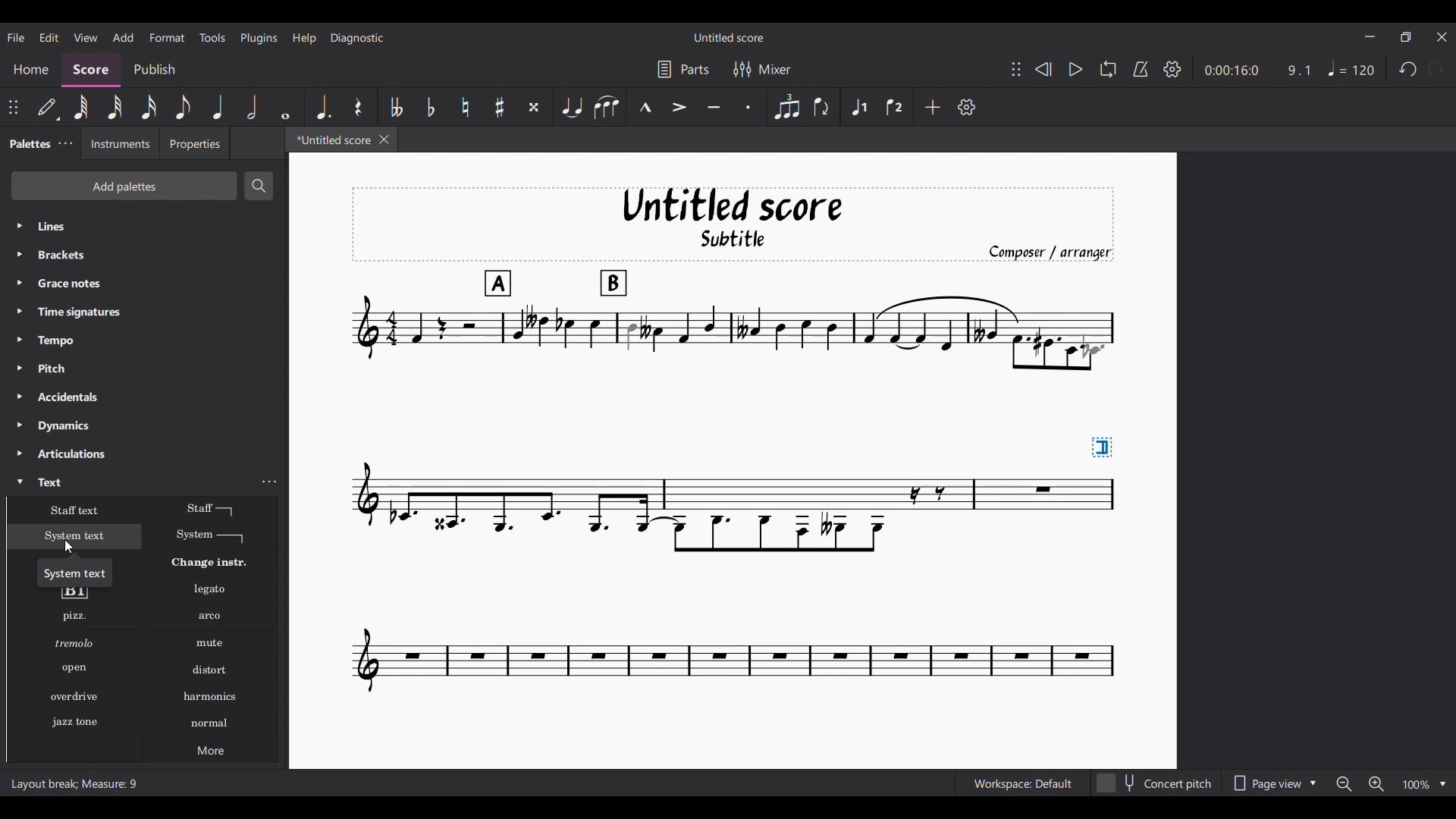 The image size is (1456, 819). I want to click on Untitled score, so click(729, 38).